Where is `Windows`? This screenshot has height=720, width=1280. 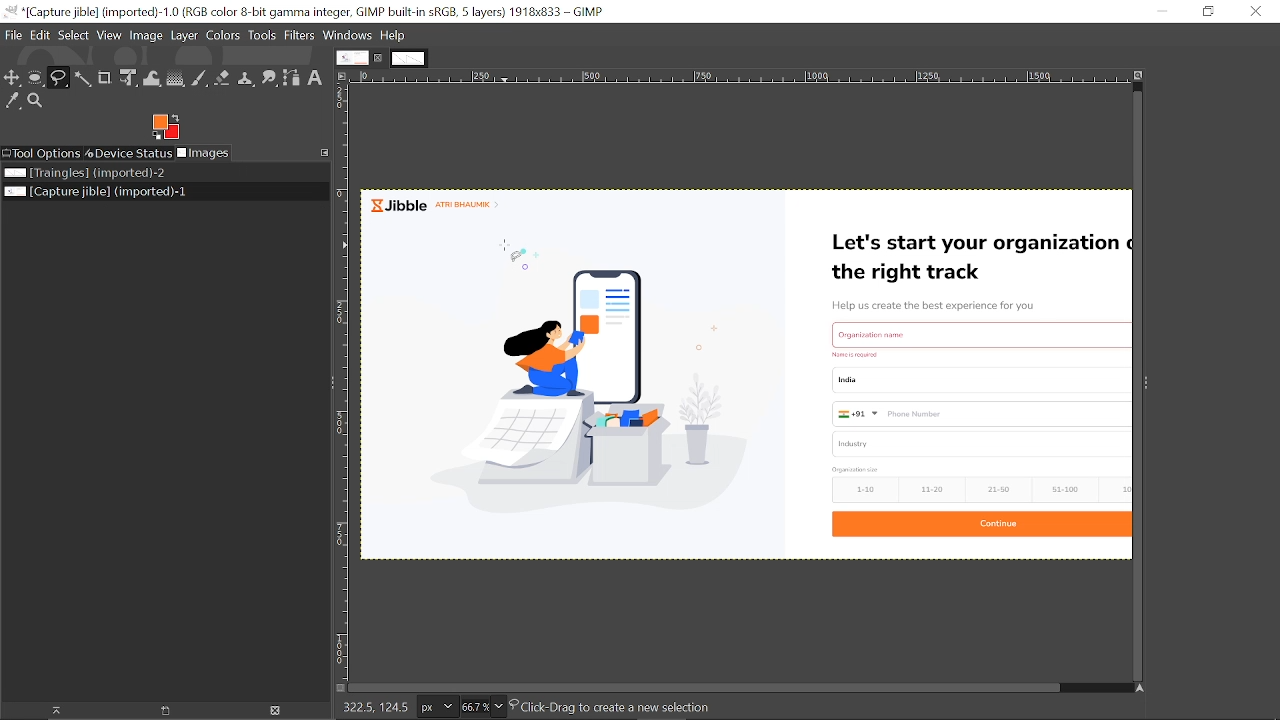 Windows is located at coordinates (349, 36).